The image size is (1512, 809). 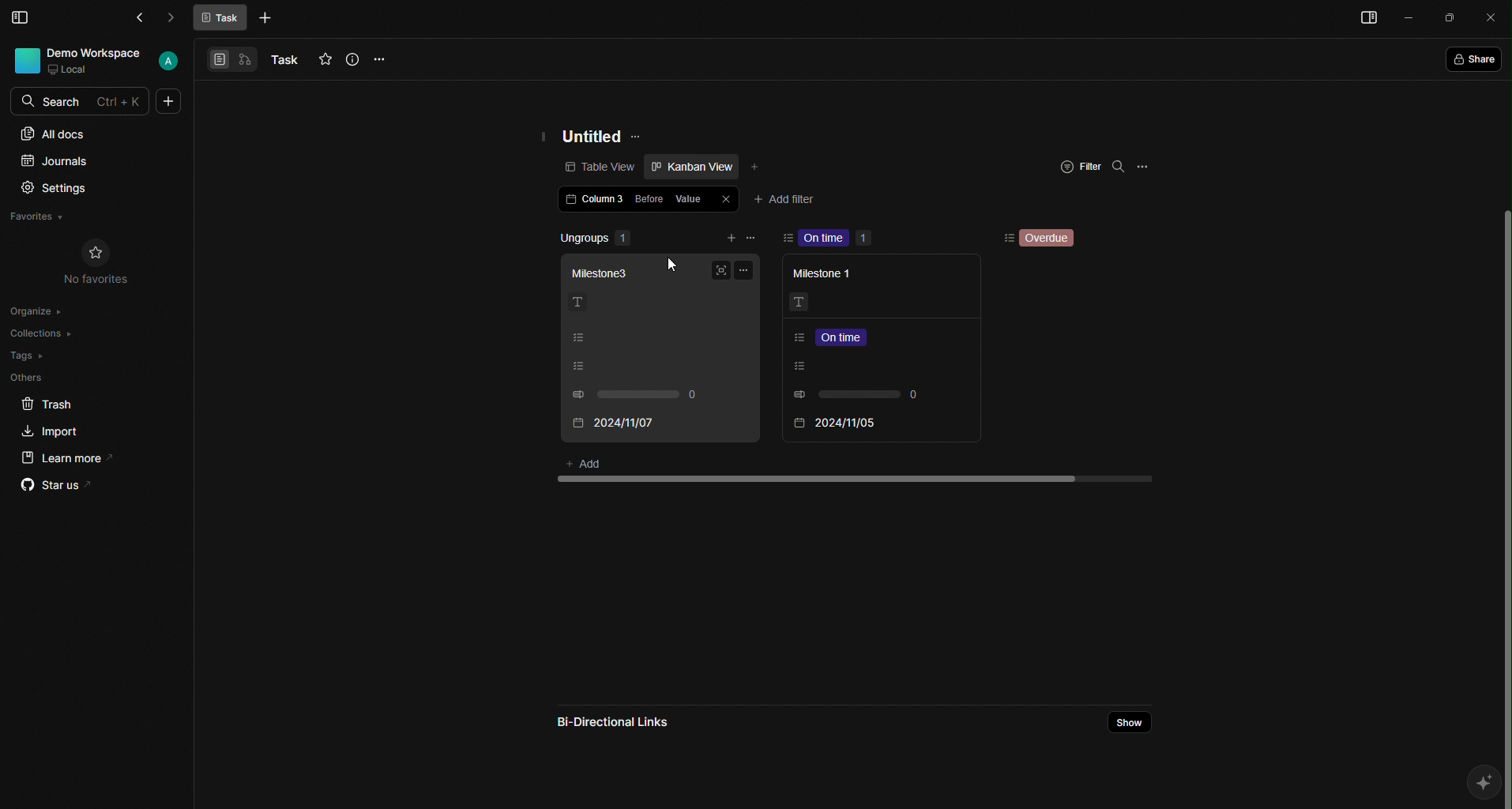 What do you see at coordinates (145, 17) in the screenshot?
I see `Back` at bounding box center [145, 17].